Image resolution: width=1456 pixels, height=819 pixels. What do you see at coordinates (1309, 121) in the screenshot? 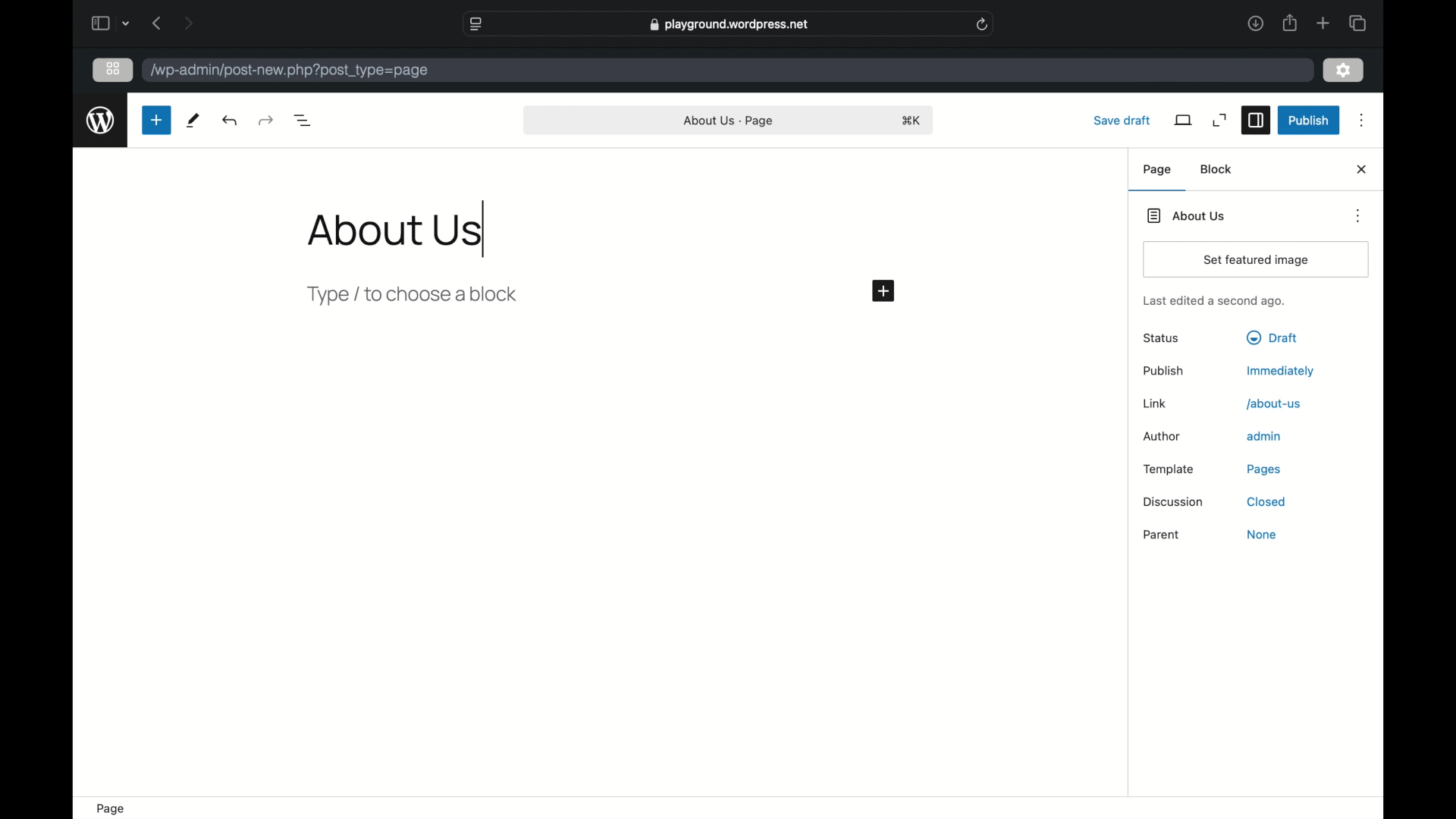
I see `publish` at bounding box center [1309, 121].